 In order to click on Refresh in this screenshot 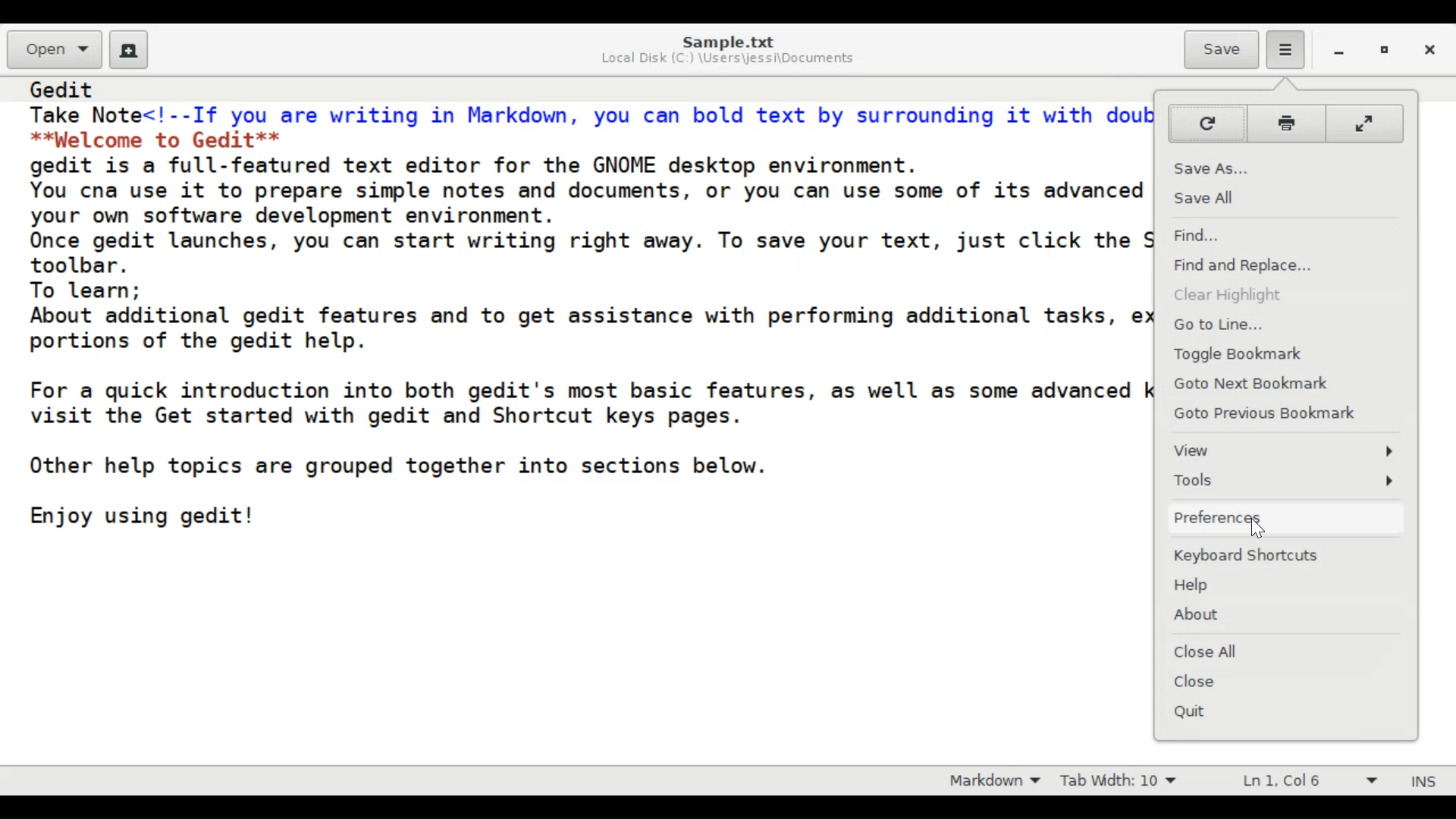, I will do `click(1207, 124)`.